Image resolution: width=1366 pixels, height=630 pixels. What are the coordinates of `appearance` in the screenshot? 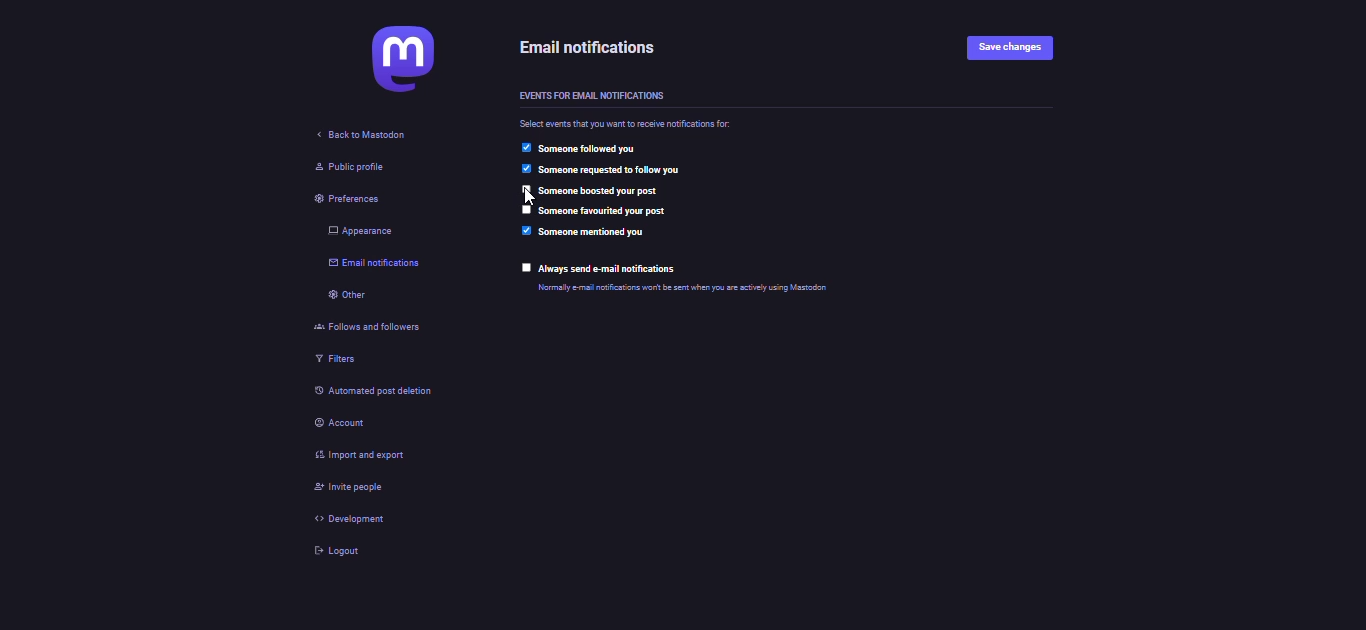 It's located at (357, 232).